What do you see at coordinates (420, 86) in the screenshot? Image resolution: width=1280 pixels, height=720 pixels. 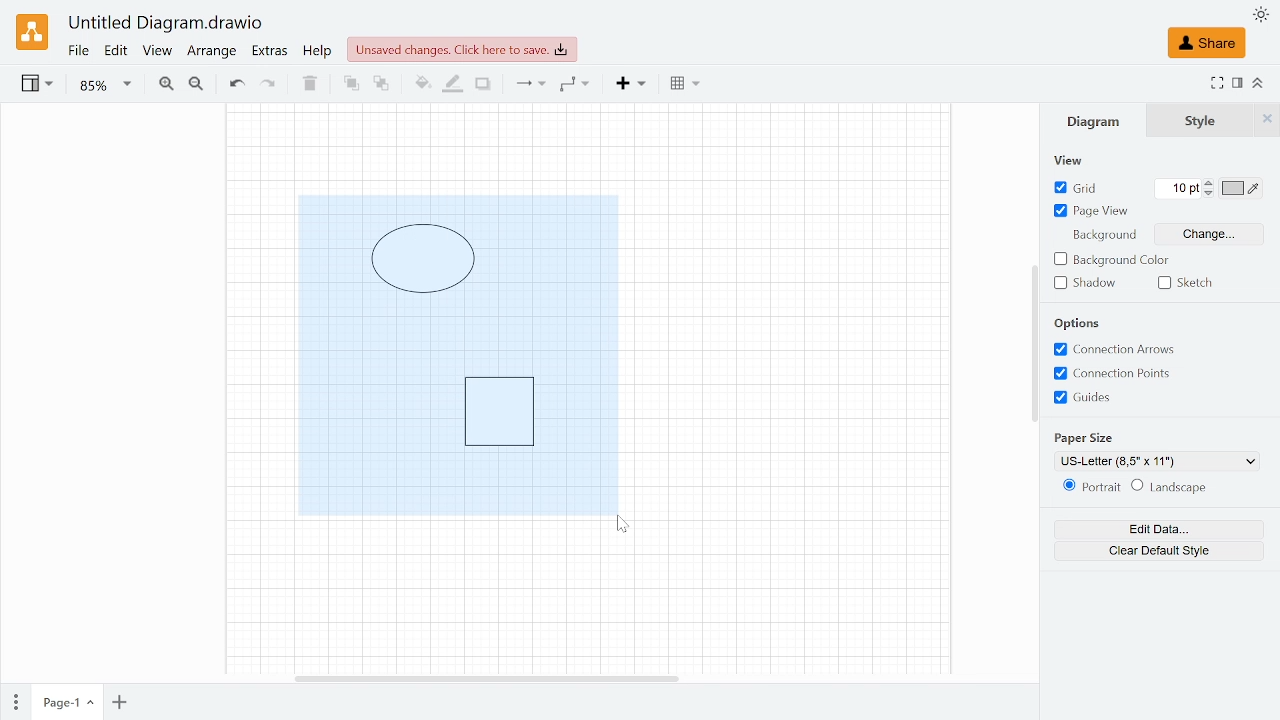 I see `Fill color` at bounding box center [420, 86].